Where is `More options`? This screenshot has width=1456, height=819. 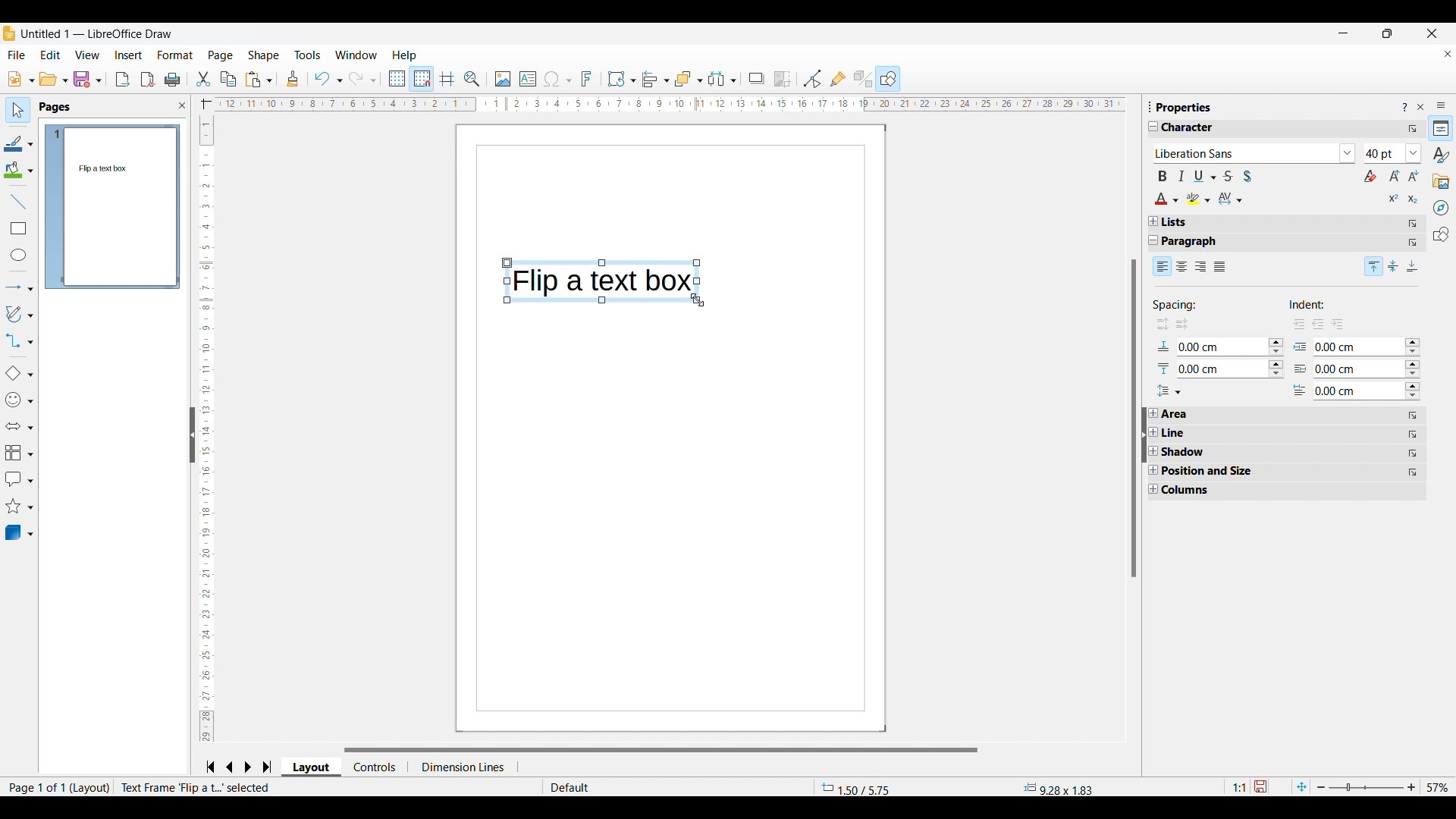 More options is located at coordinates (1413, 129).